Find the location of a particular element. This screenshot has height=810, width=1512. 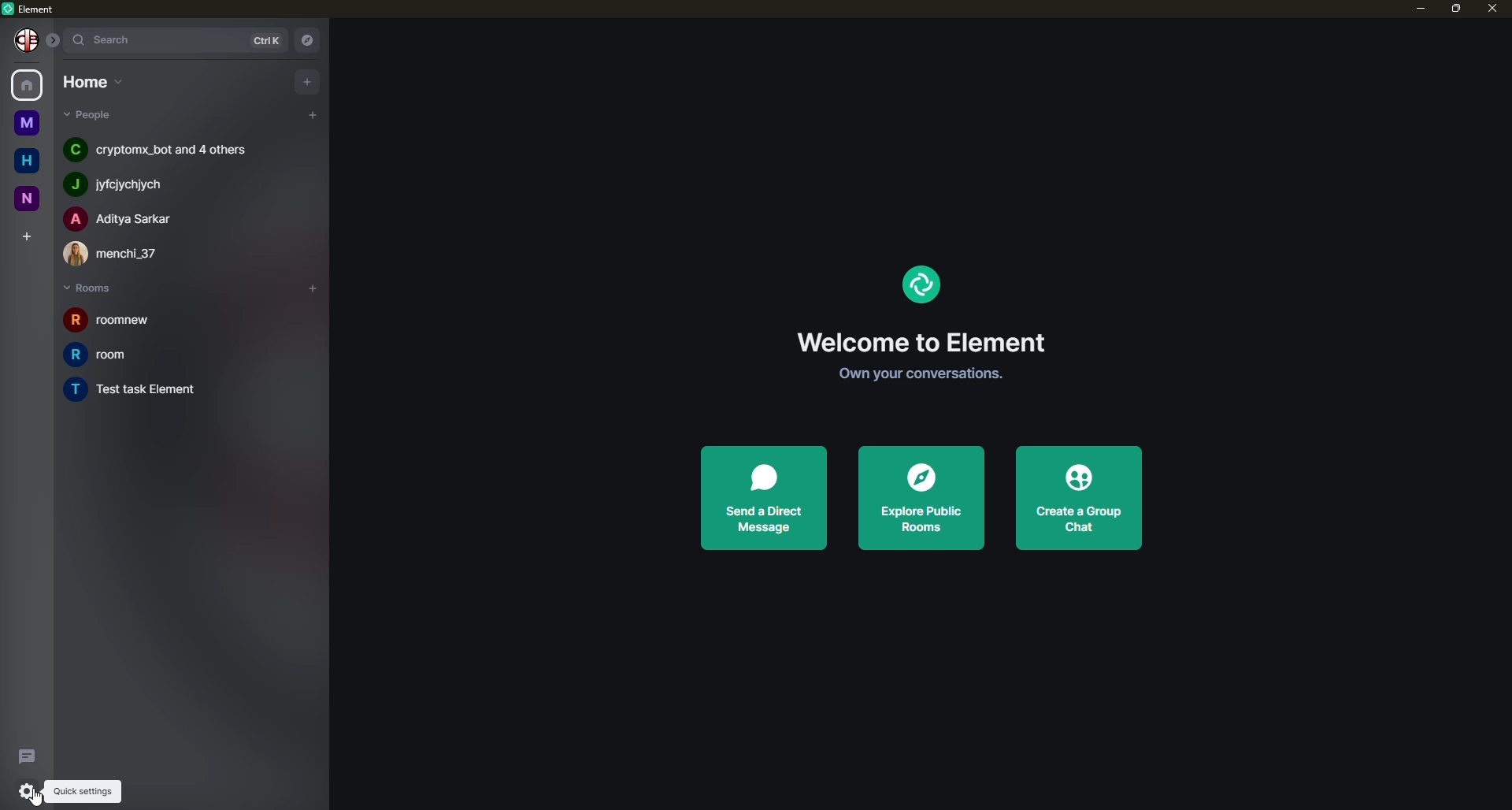

home is located at coordinates (29, 84).